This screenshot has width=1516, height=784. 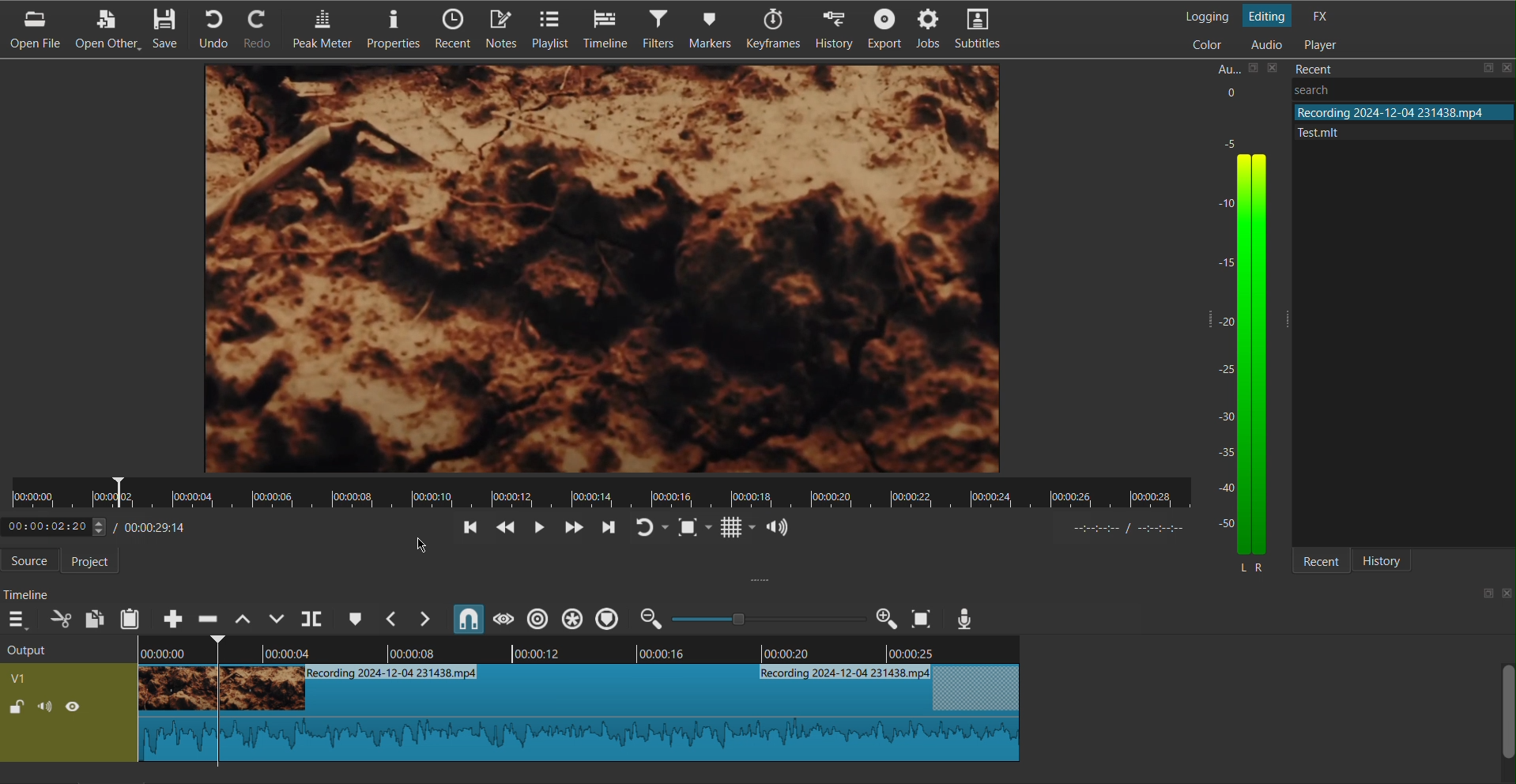 I want to click on Append, so click(x=170, y=619).